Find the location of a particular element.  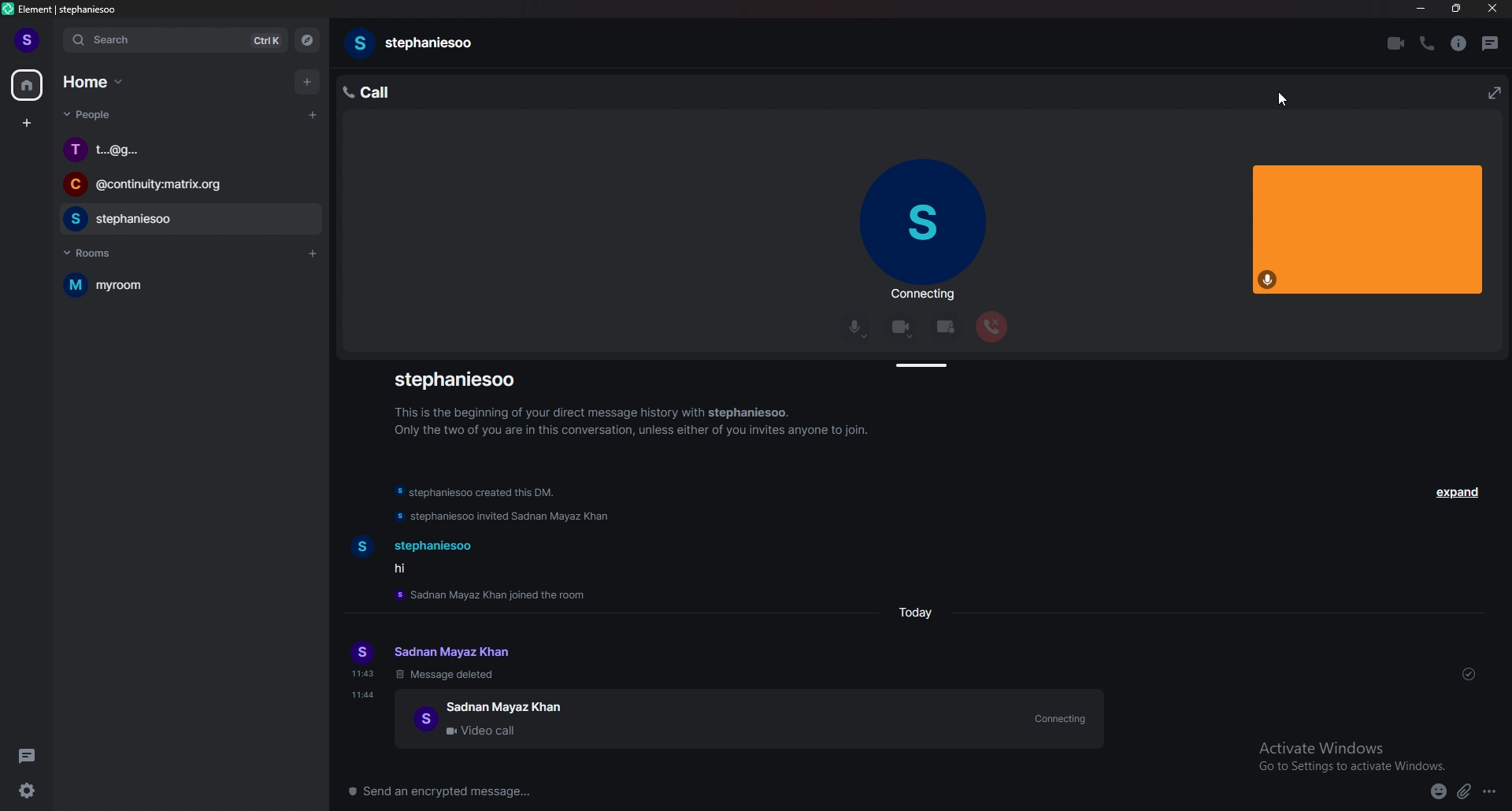

my video is located at coordinates (1368, 228).